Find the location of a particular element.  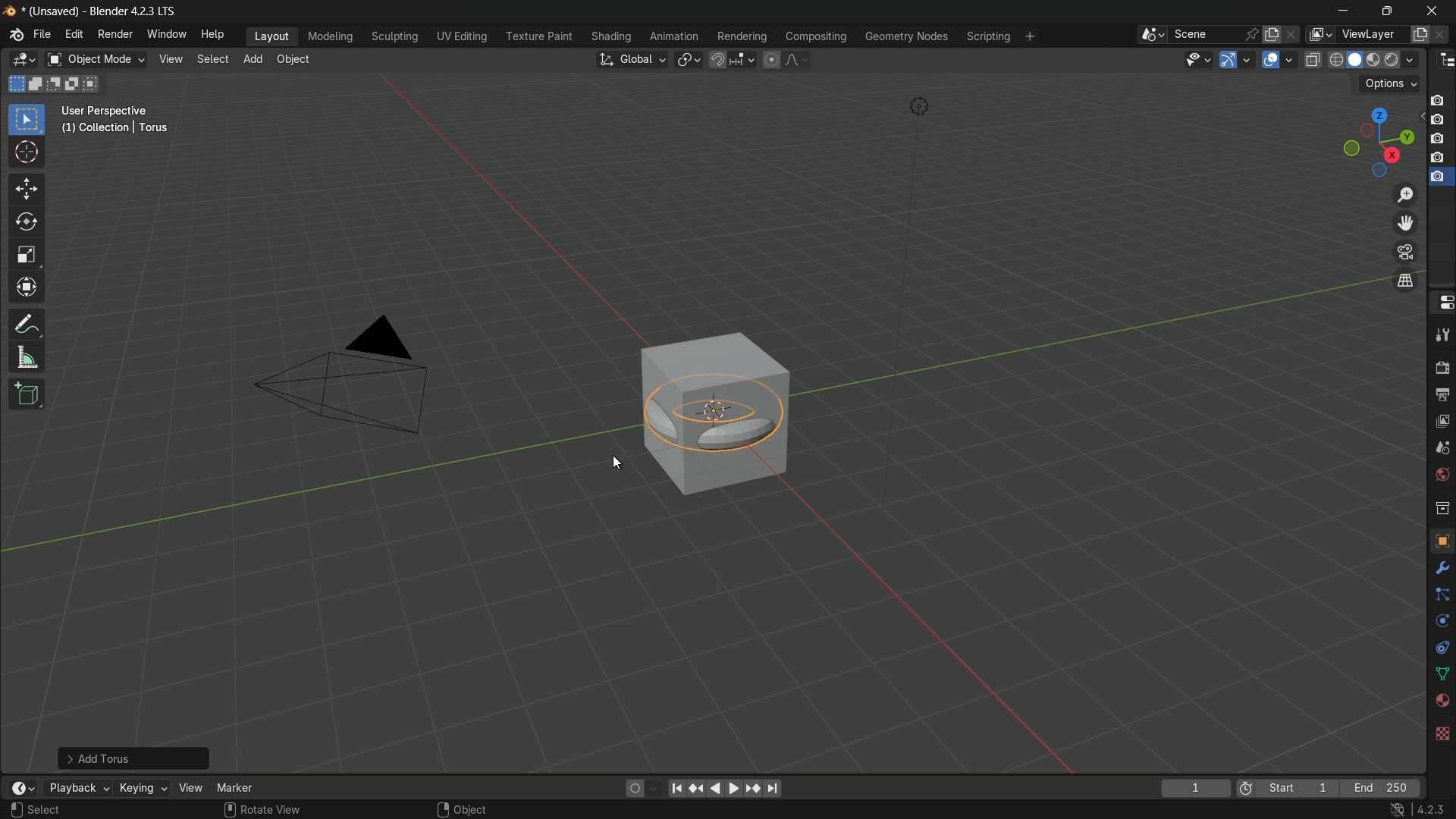

Object is located at coordinates (471, 809).